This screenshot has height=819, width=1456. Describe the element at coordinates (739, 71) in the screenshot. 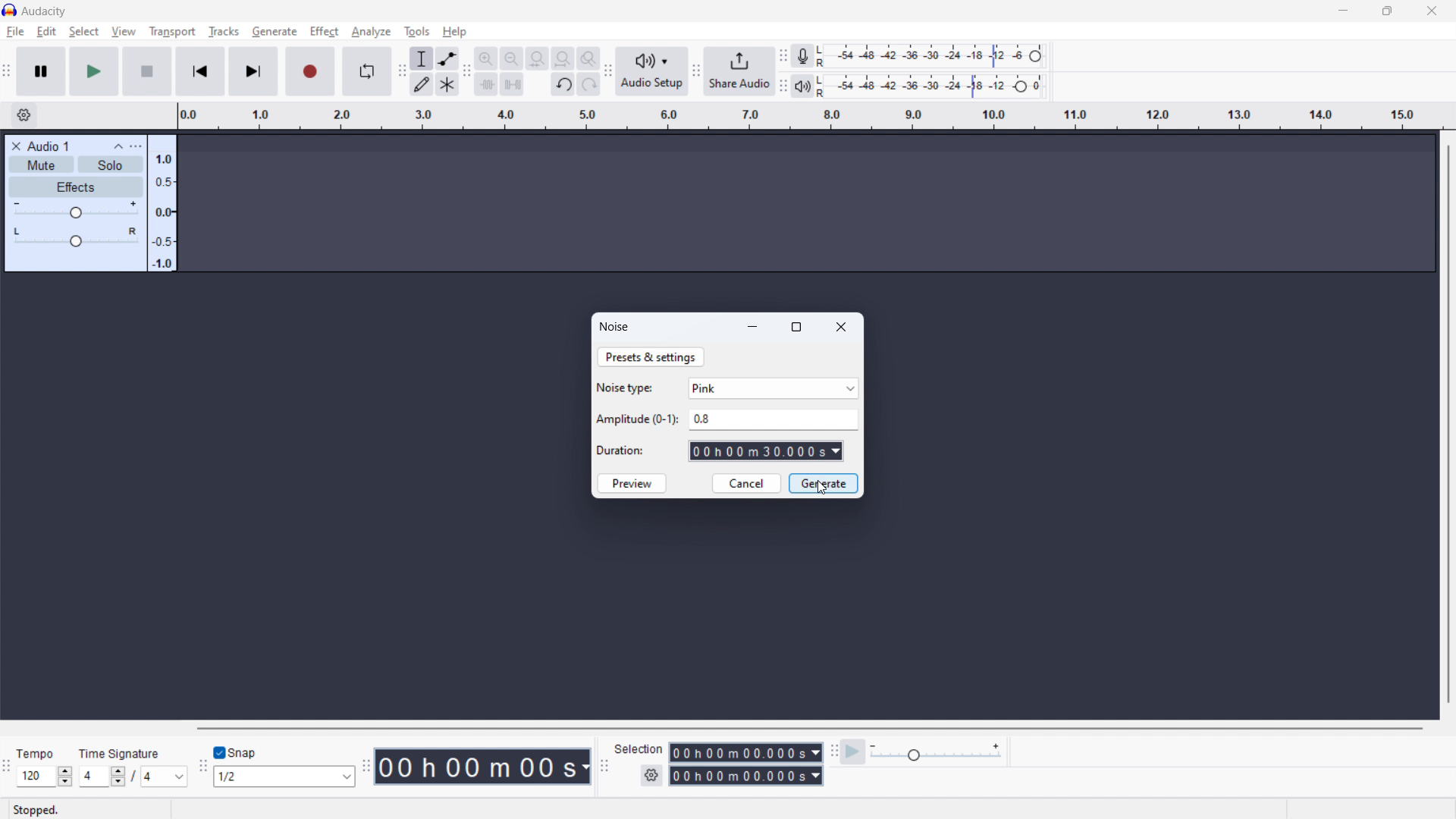

I see `share audio` at that location.